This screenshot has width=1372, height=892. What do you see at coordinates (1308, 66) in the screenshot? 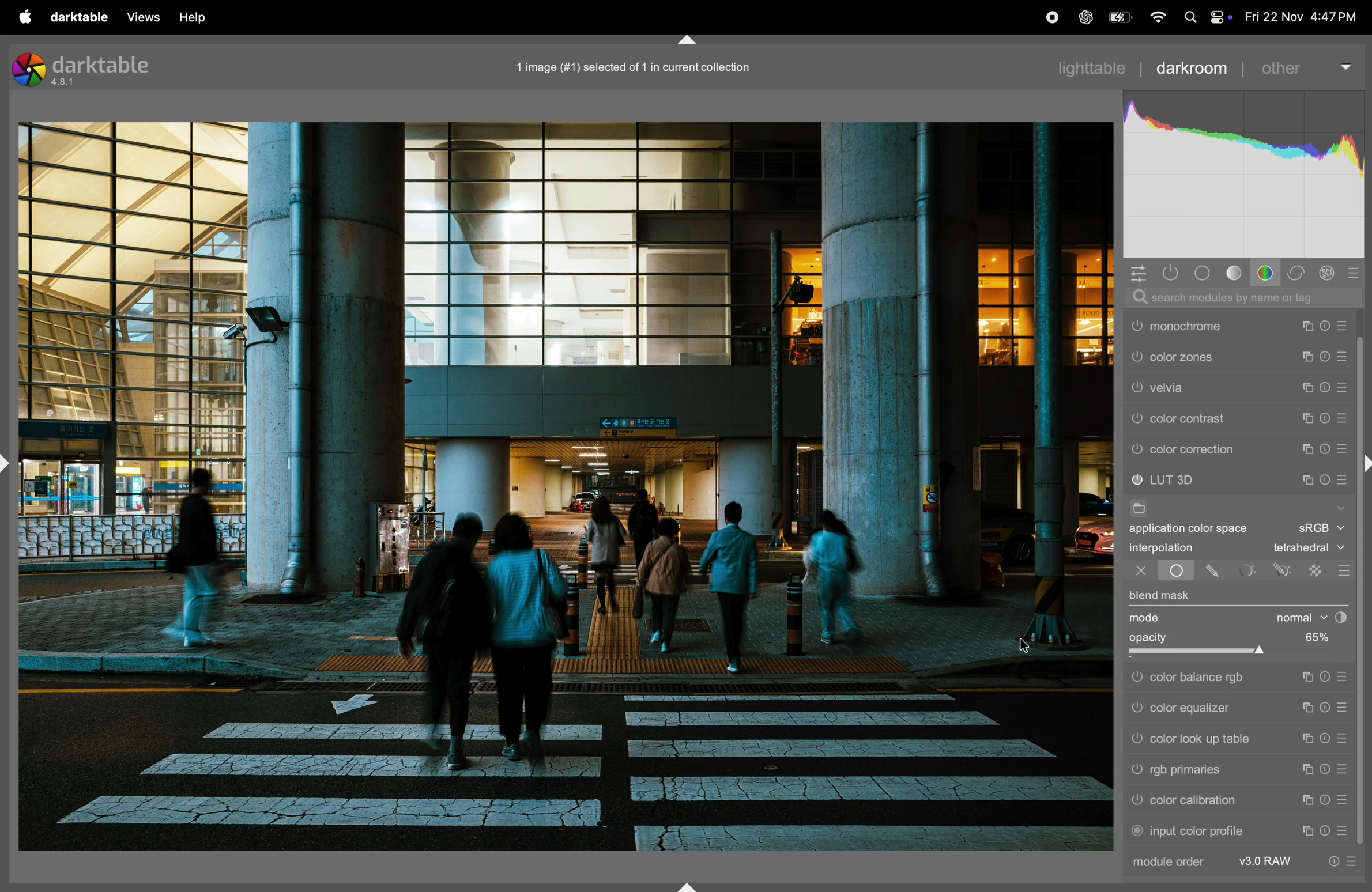
I see `others` at bounding box center [1308, 66].